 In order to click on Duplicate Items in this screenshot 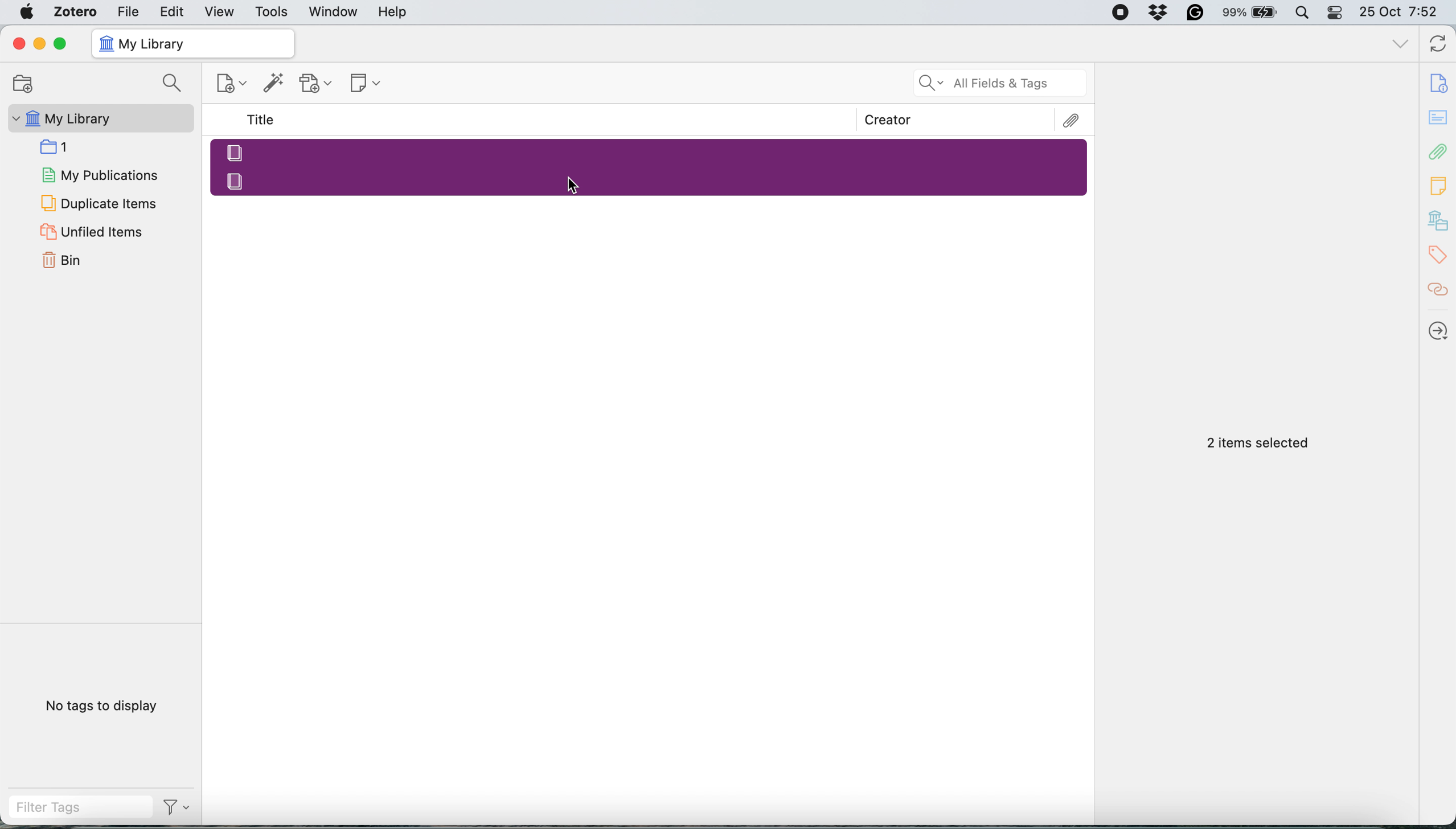, I will do `click(97, 202)`.